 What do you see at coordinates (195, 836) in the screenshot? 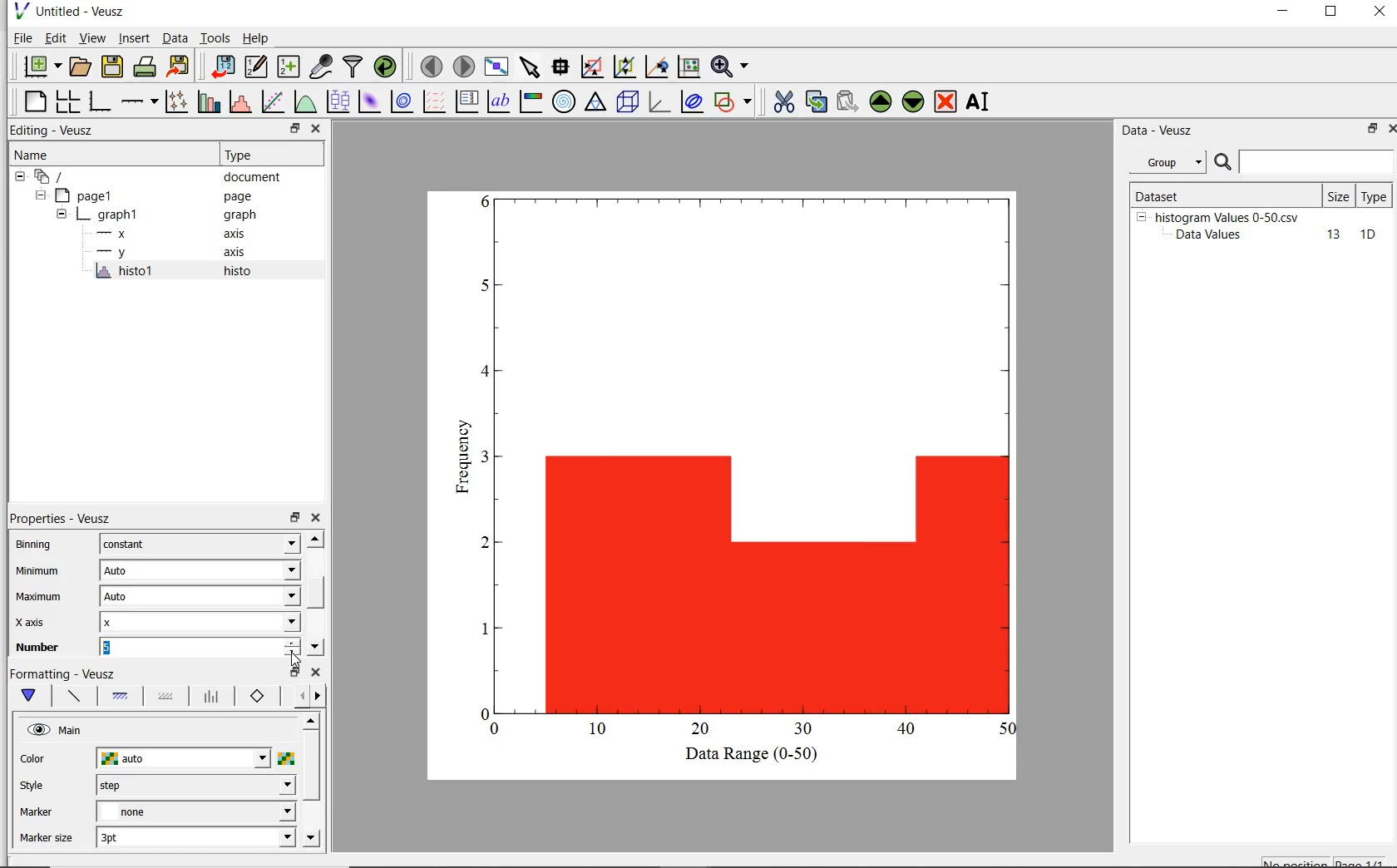
I see `3 pt ` at bounding box center [195, 836].